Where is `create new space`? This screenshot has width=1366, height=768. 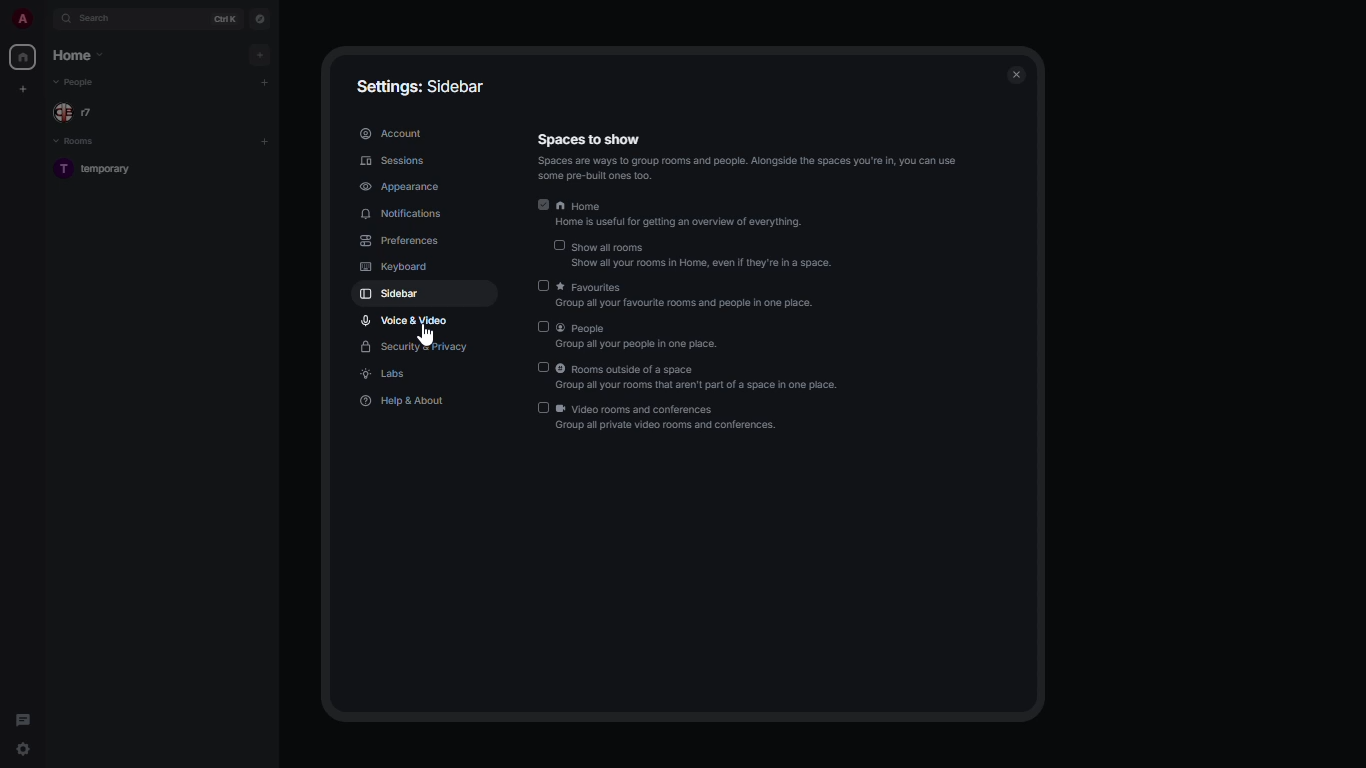
create new space is located at coordinates (23, 89).